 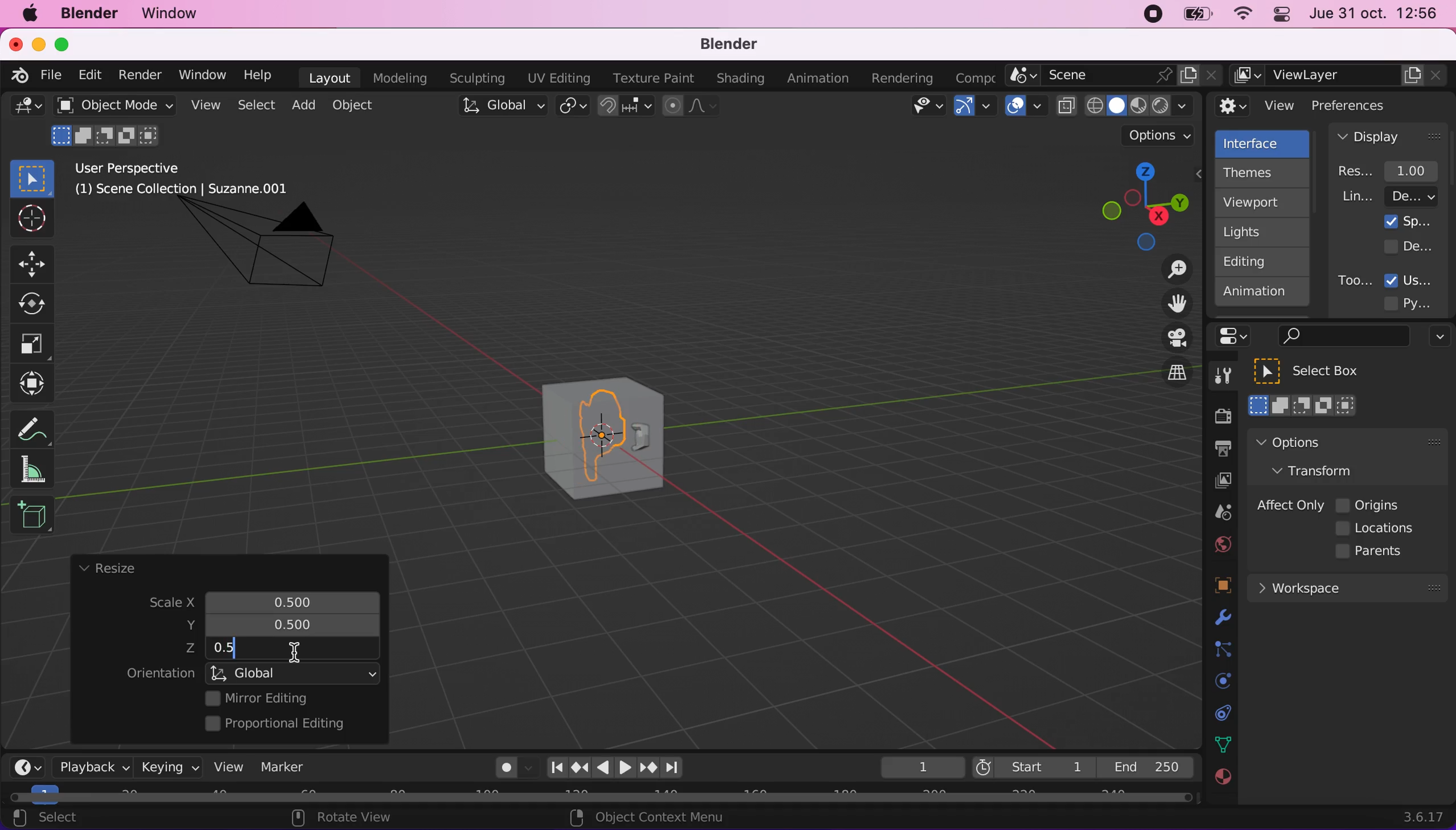 What do you see at coordinates (161, 604) in the screenshot?
I see `scale` at bounding box center [161, 604].